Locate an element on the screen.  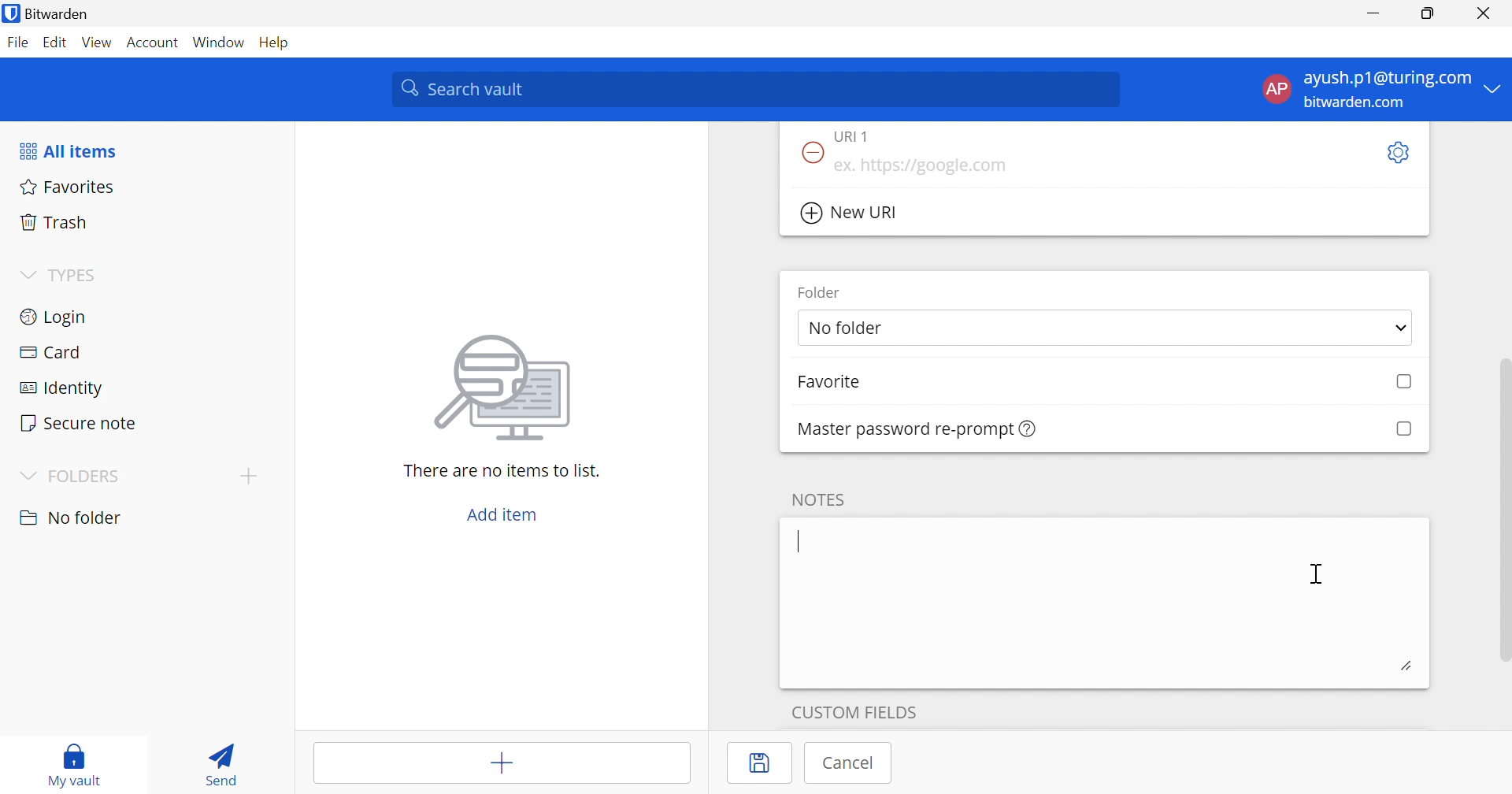
Help is located at coordinates (278, 42).